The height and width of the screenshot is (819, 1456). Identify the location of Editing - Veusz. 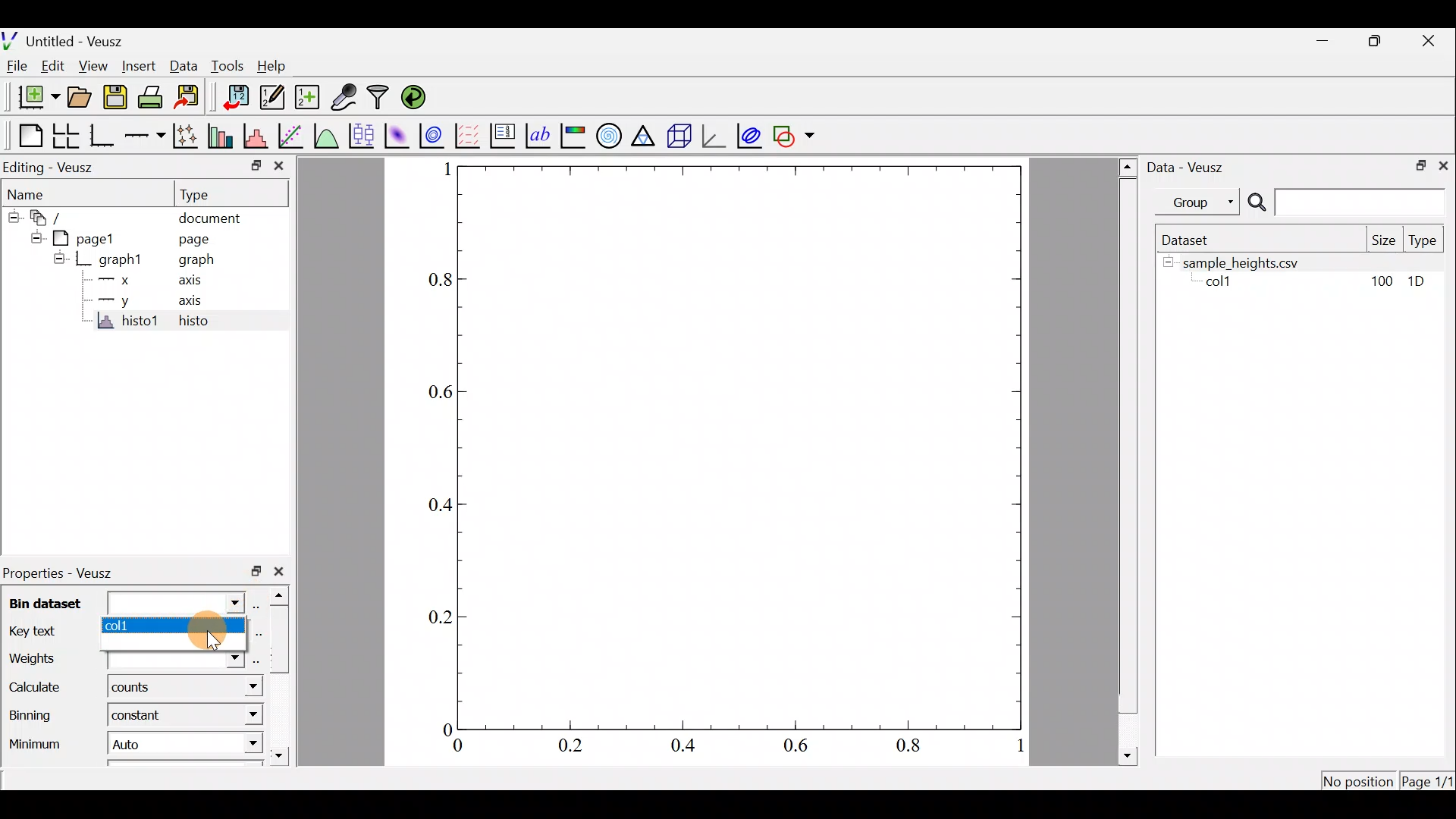
(63, 165).